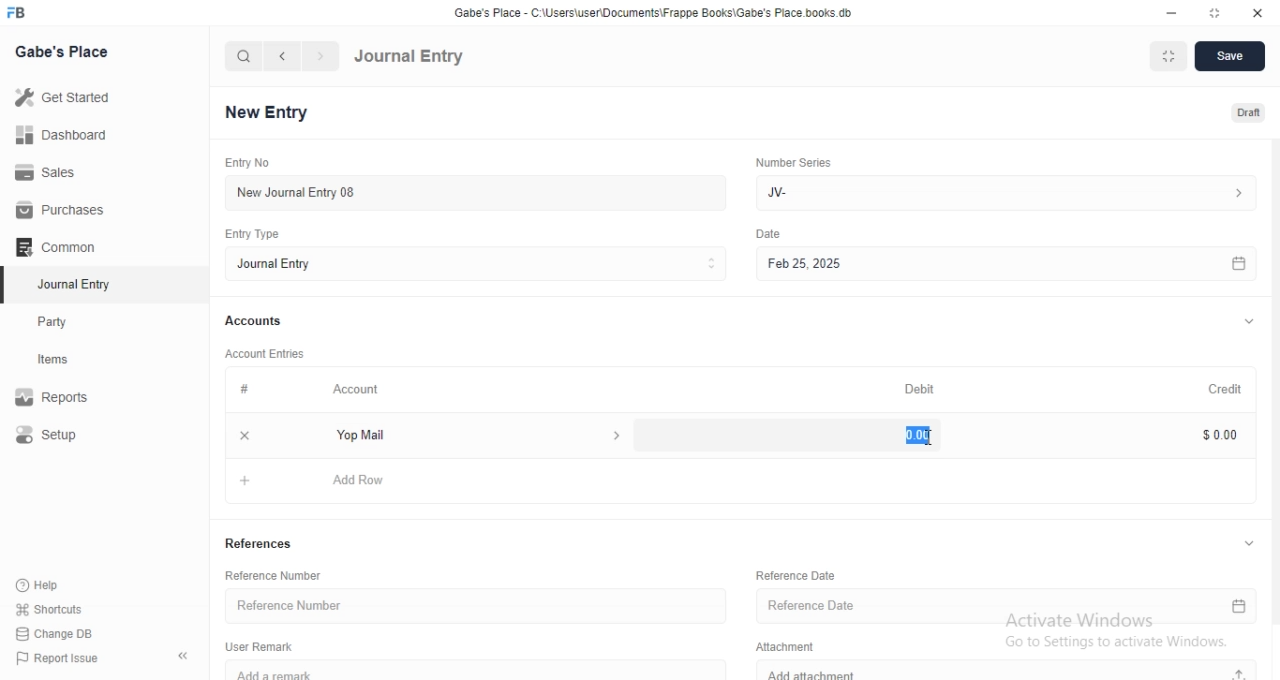  What do you see at coordinates (1010, 191) in the screenshot?
I see `Jv-` at bounding box center [1010, 191].